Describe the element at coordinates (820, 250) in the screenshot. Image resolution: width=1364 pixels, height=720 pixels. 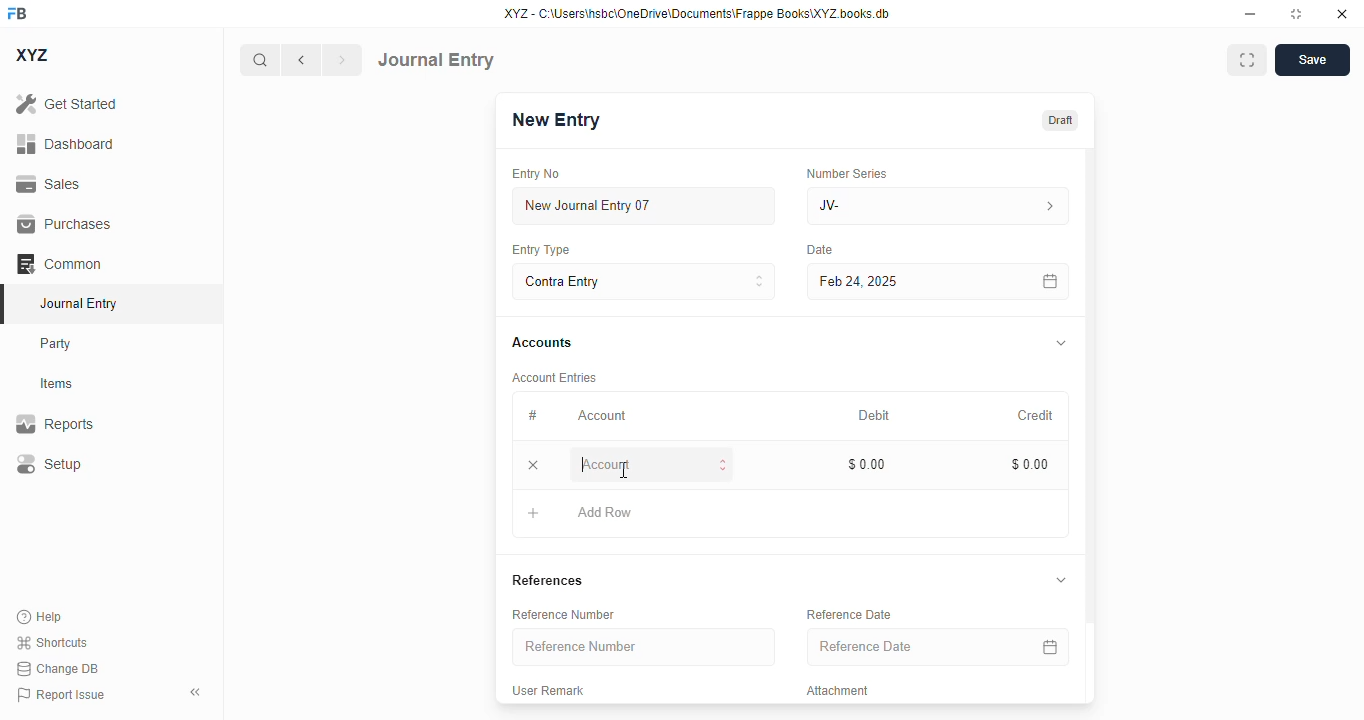
I see `date` at that location.